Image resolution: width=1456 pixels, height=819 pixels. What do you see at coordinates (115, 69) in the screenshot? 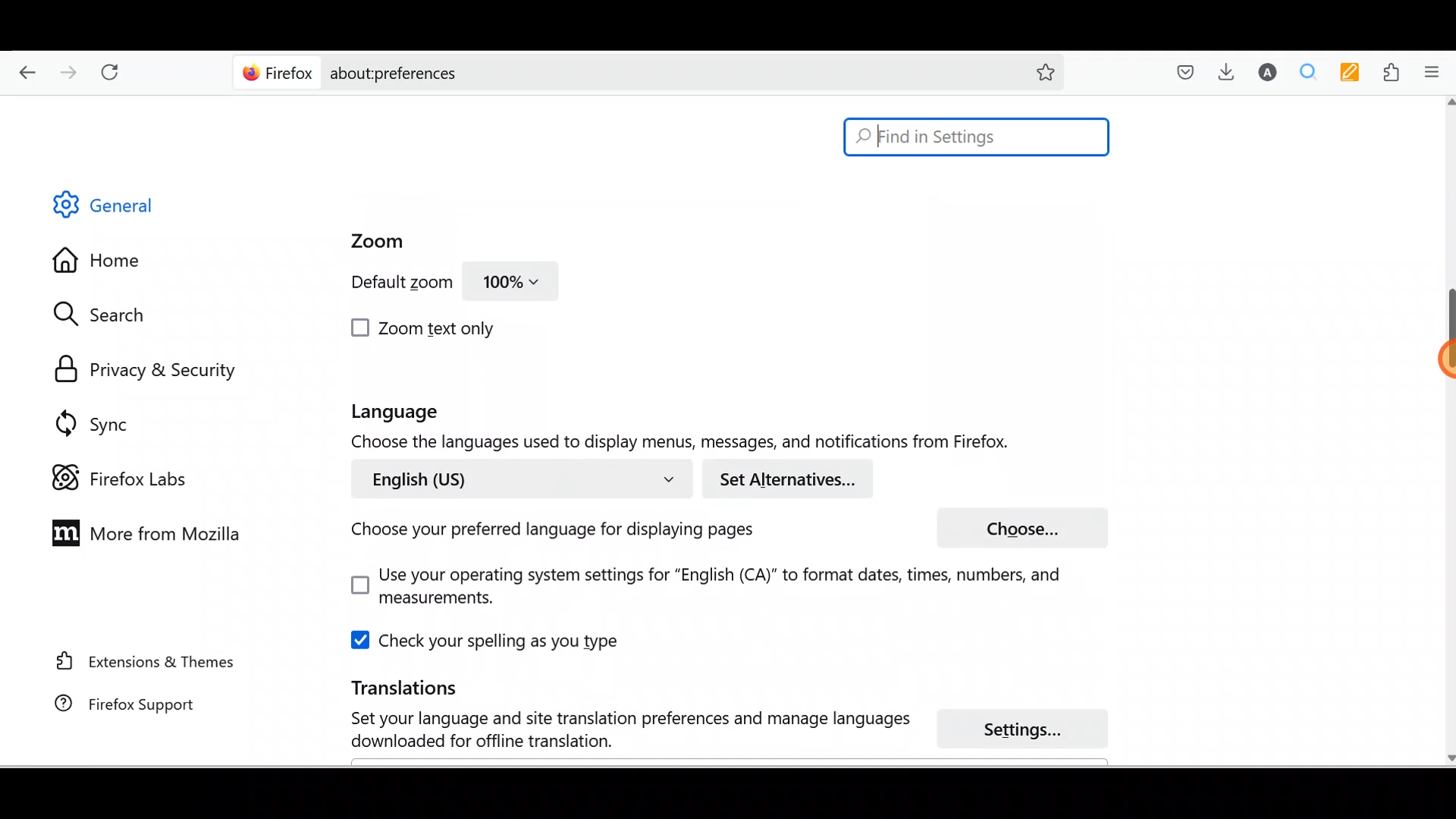
I see `Reload current page` at bounding box center [115, 69].